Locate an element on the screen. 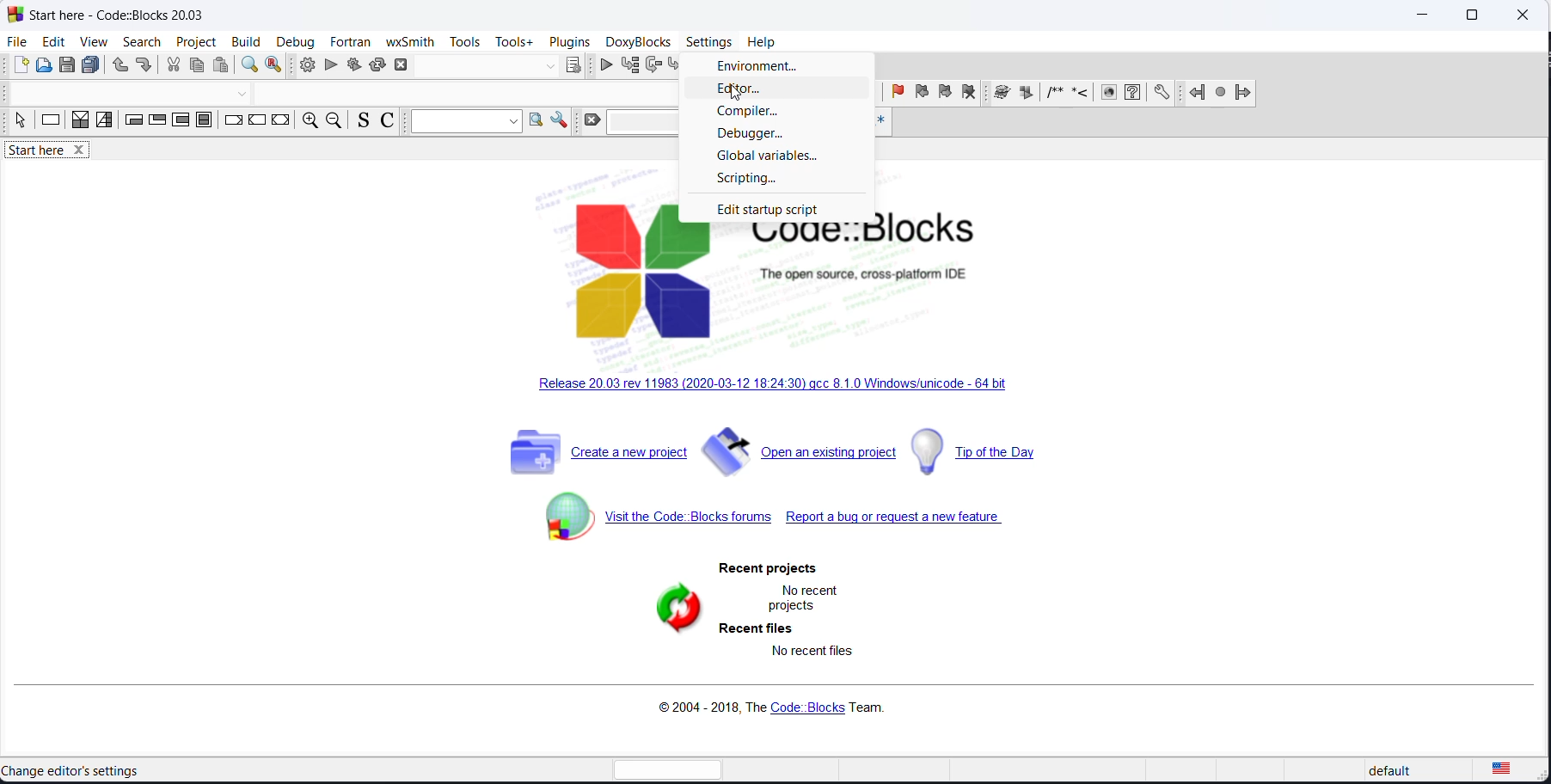 This screenshot has width=1551, height=784. settings is located at coordinates (561, 121).